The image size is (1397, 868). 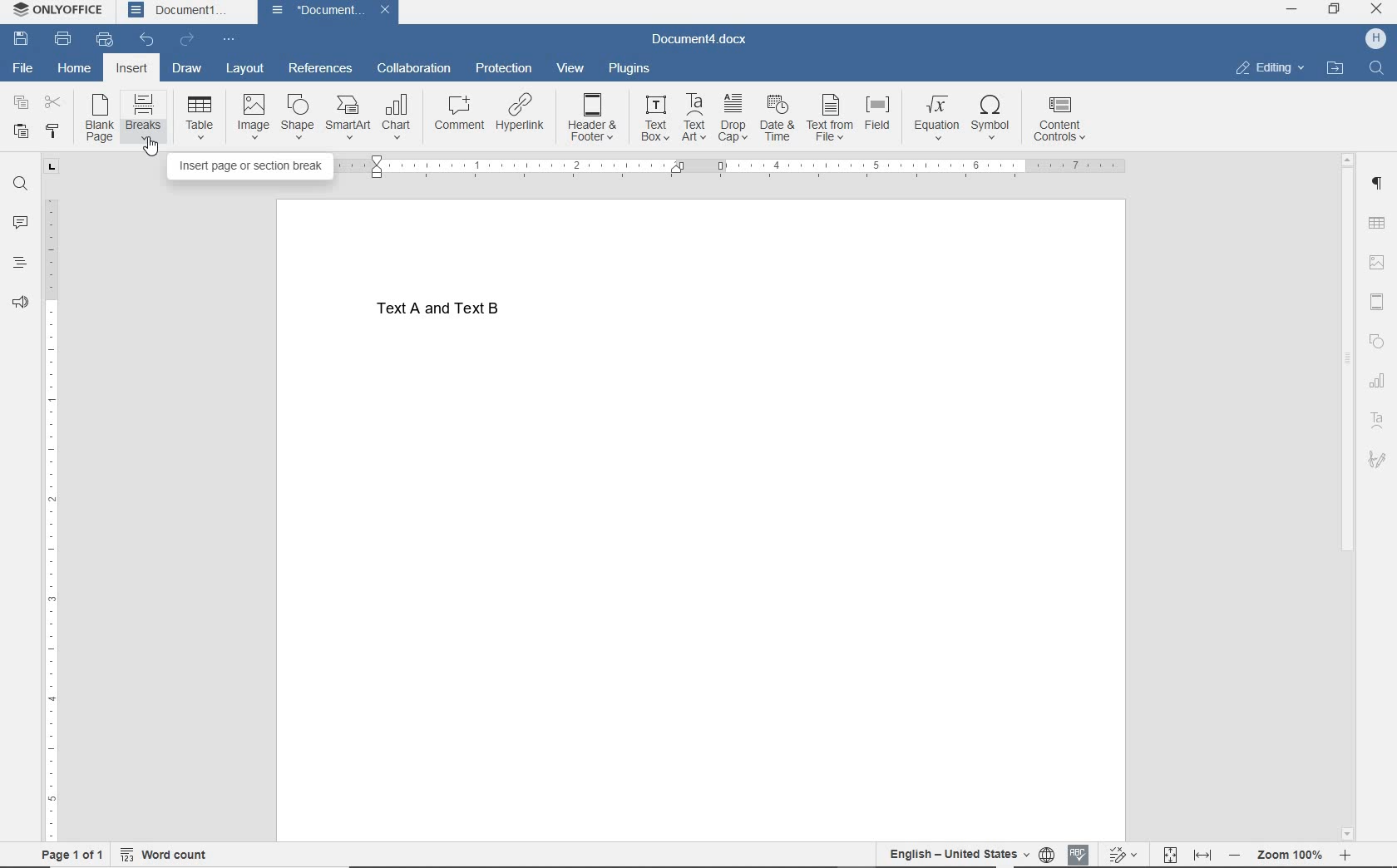 What do you see at coordinates (299, 117) in the screenshot?
I see `SHAPE` at bounding box center [299, 117].